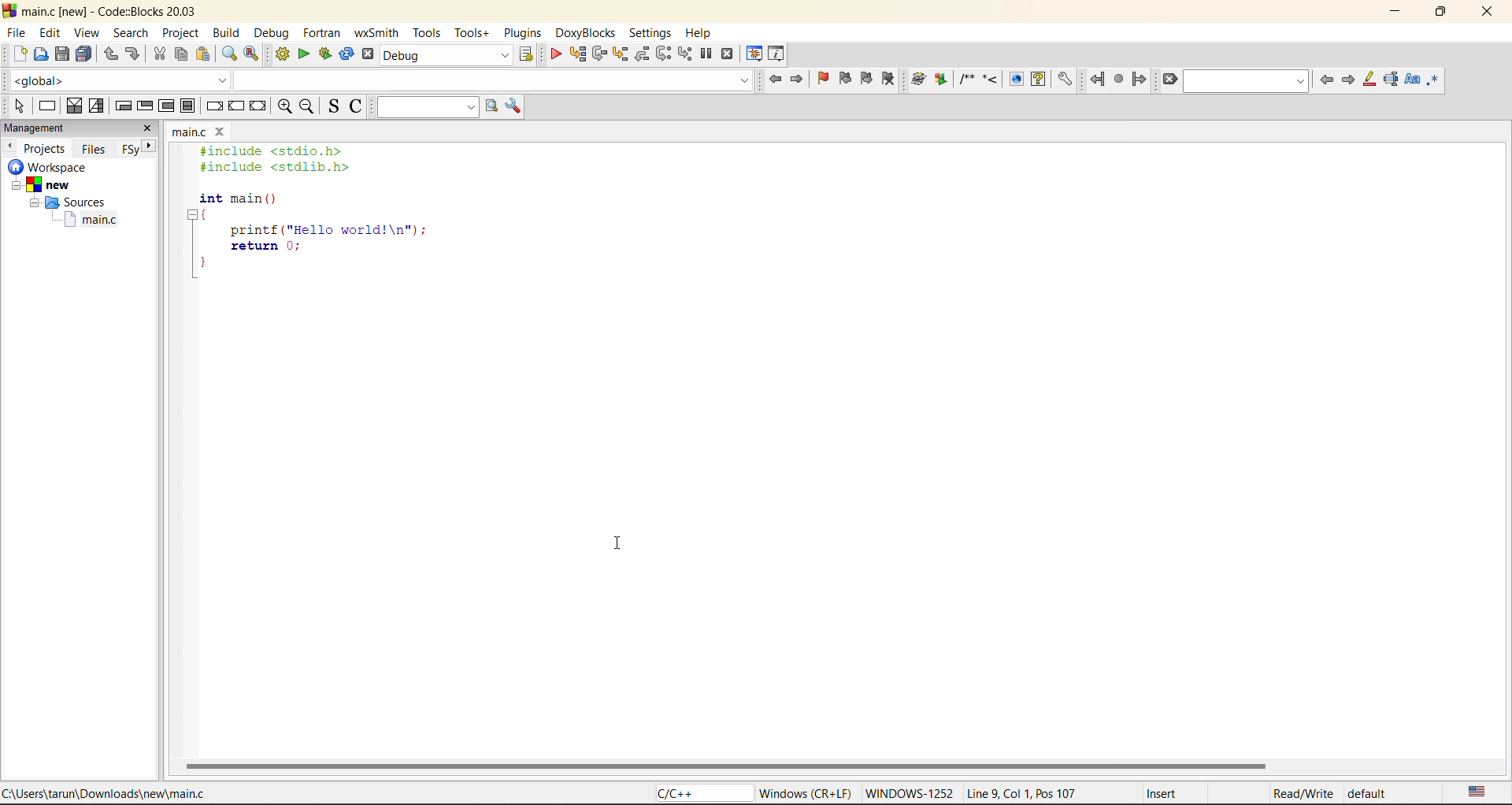  I want to click on select, so click(18, 106).